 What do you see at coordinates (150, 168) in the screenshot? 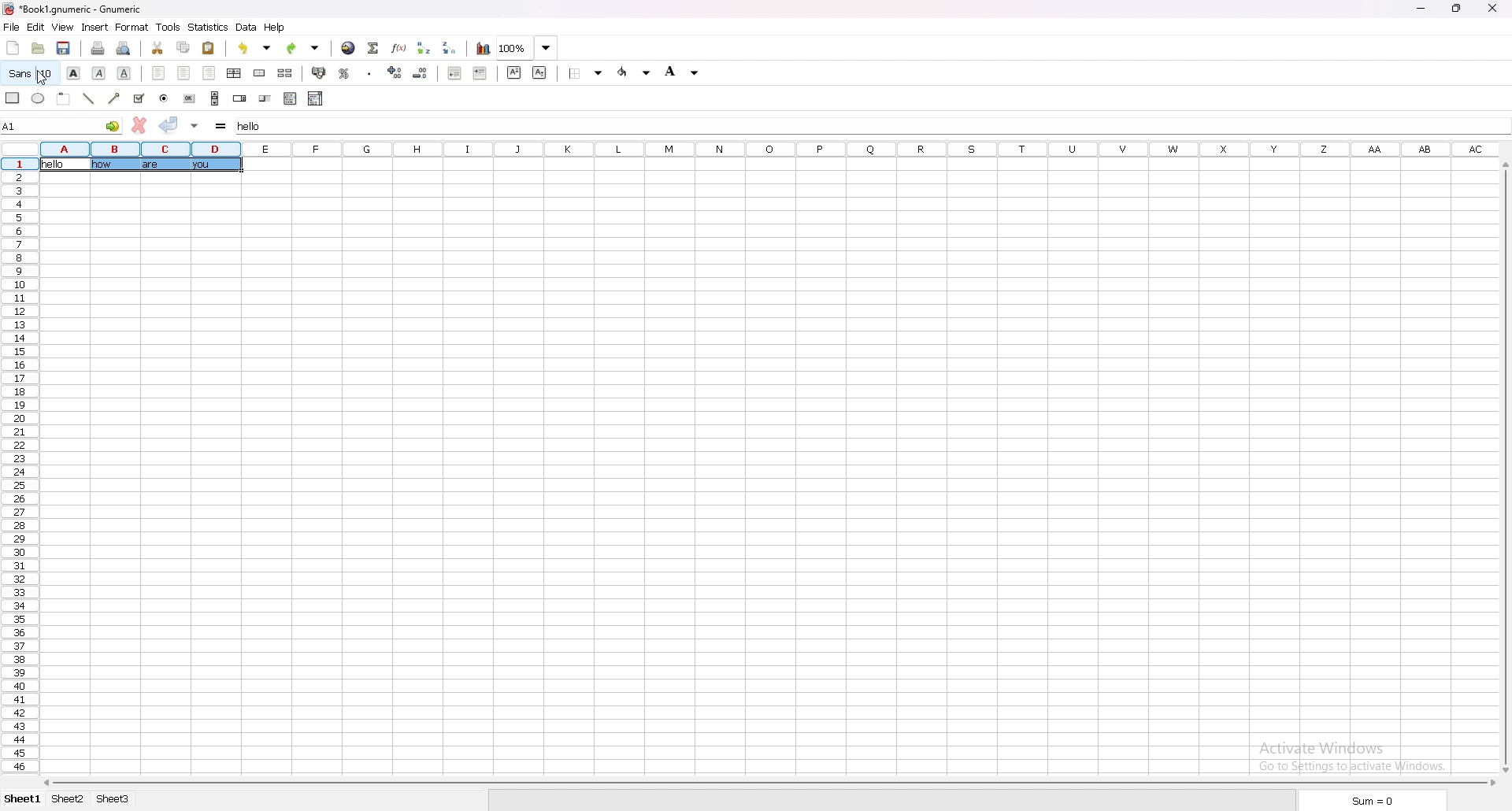
I see `are` at bounding box center [150, 168].